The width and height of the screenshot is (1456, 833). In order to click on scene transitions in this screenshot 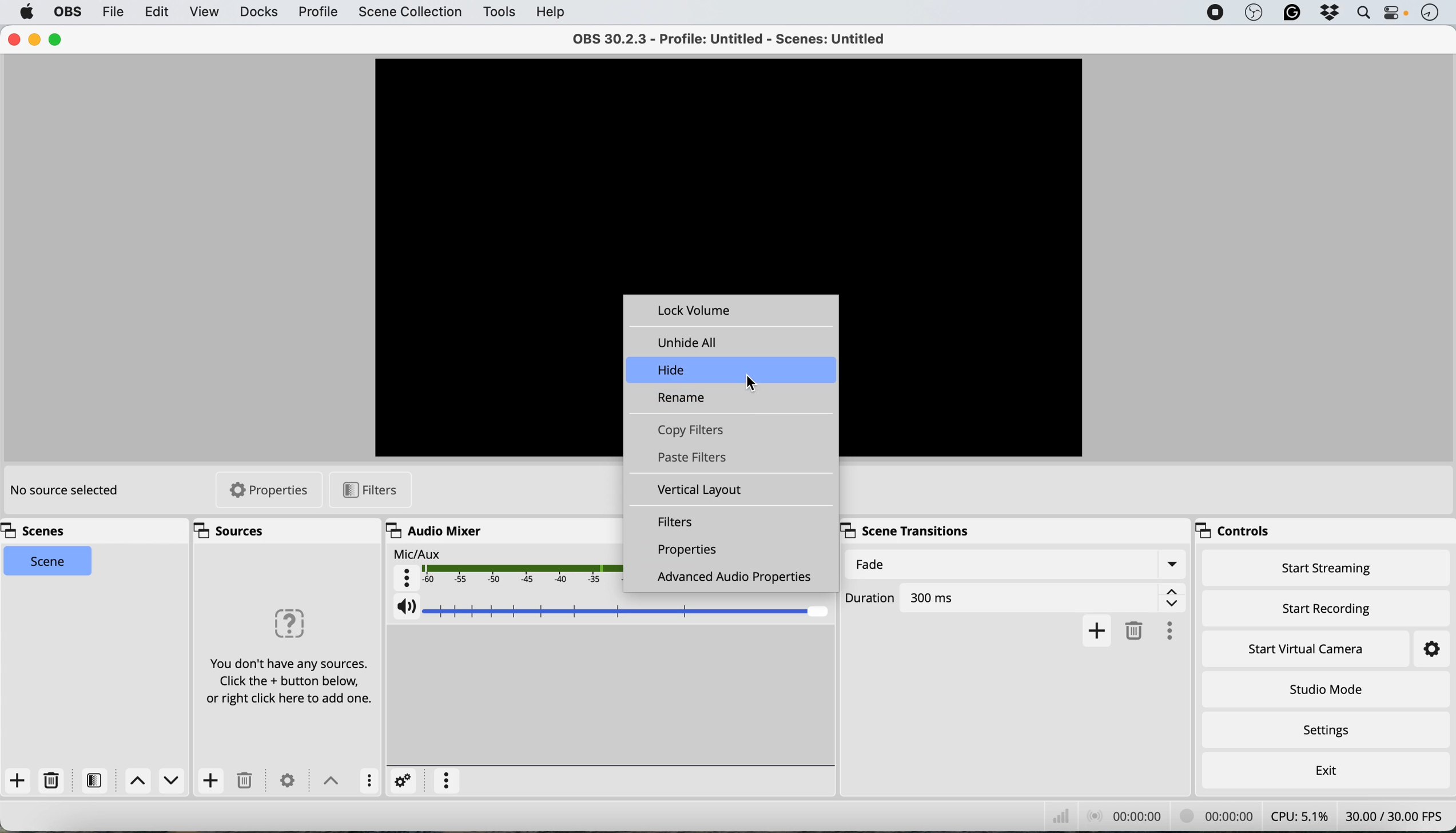, I will do `click(908, 531)`.